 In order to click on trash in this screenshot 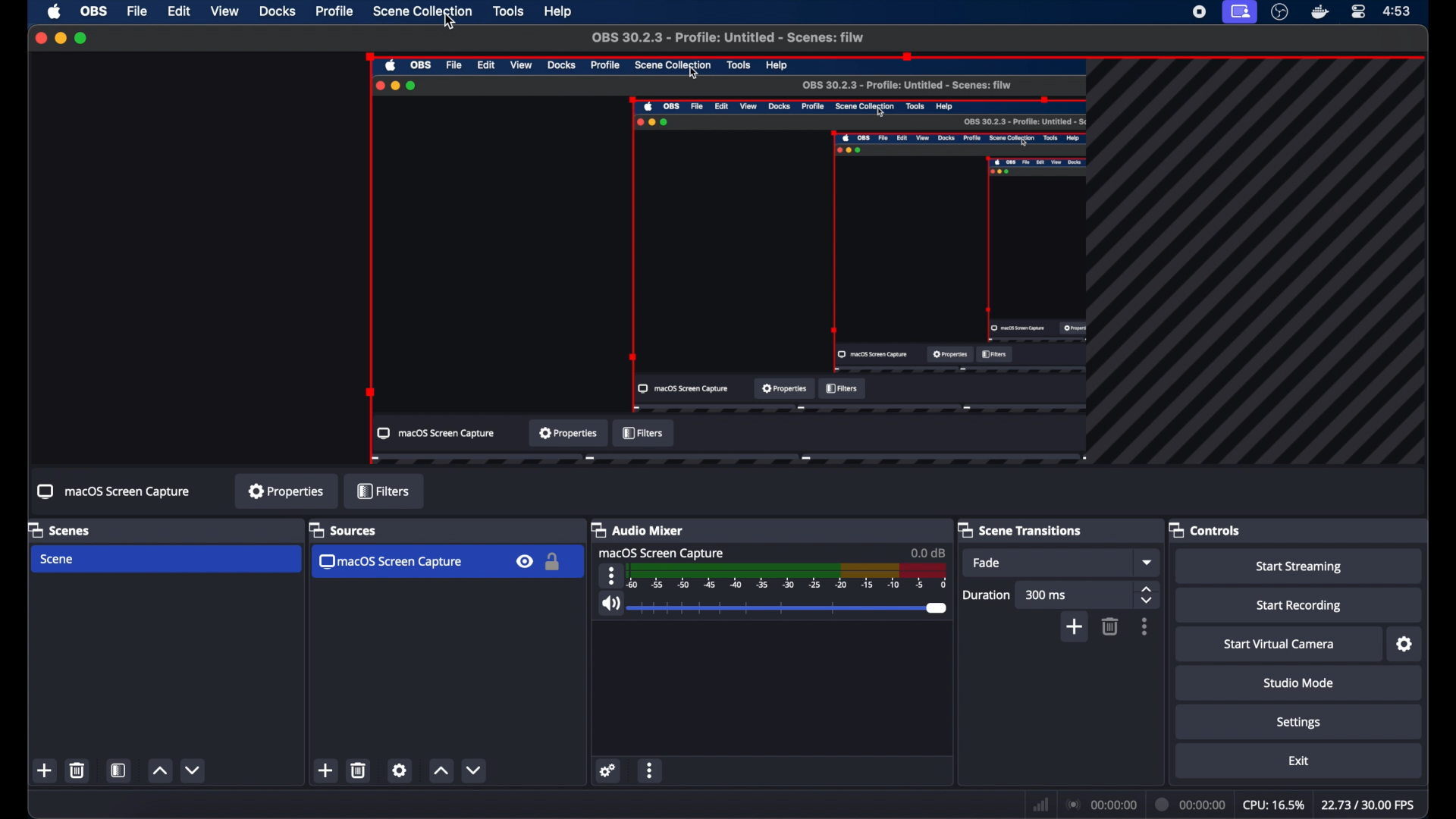, I will do `click(1110, 626)`.